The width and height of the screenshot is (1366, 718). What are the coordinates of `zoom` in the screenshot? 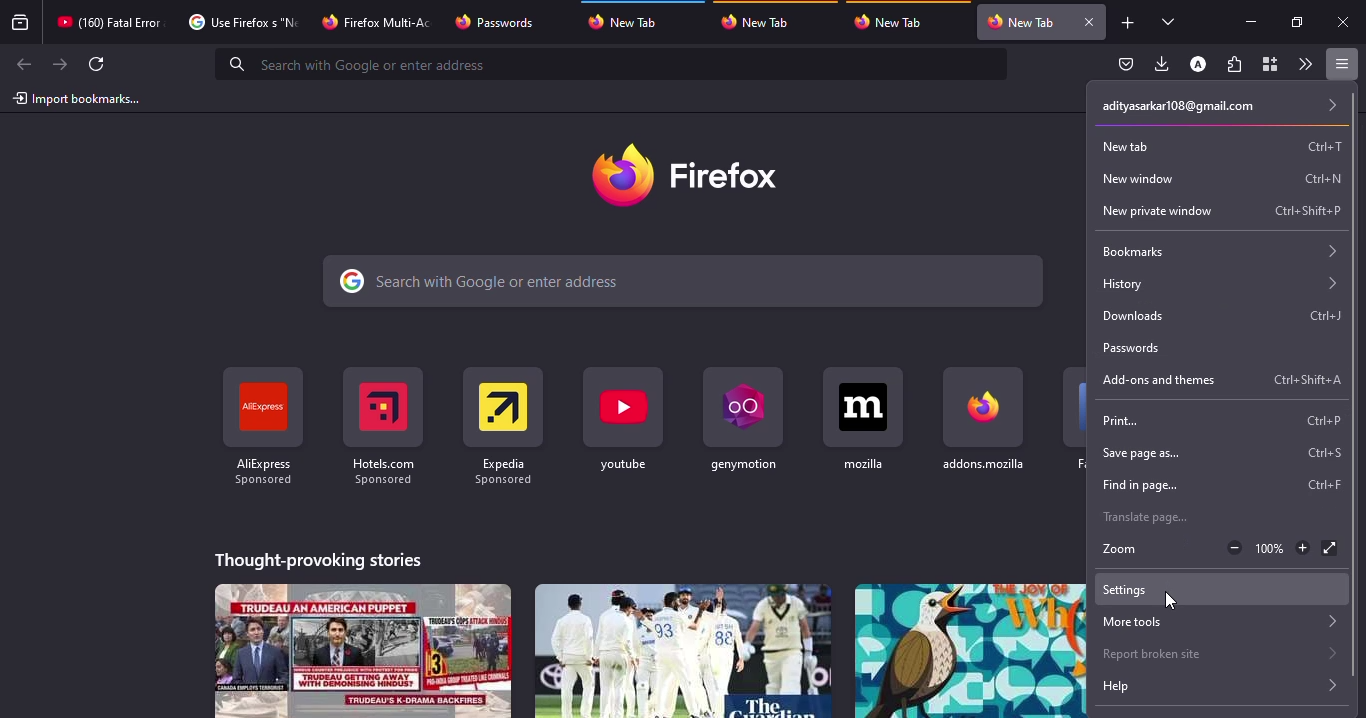 It's located at (1116, 549).